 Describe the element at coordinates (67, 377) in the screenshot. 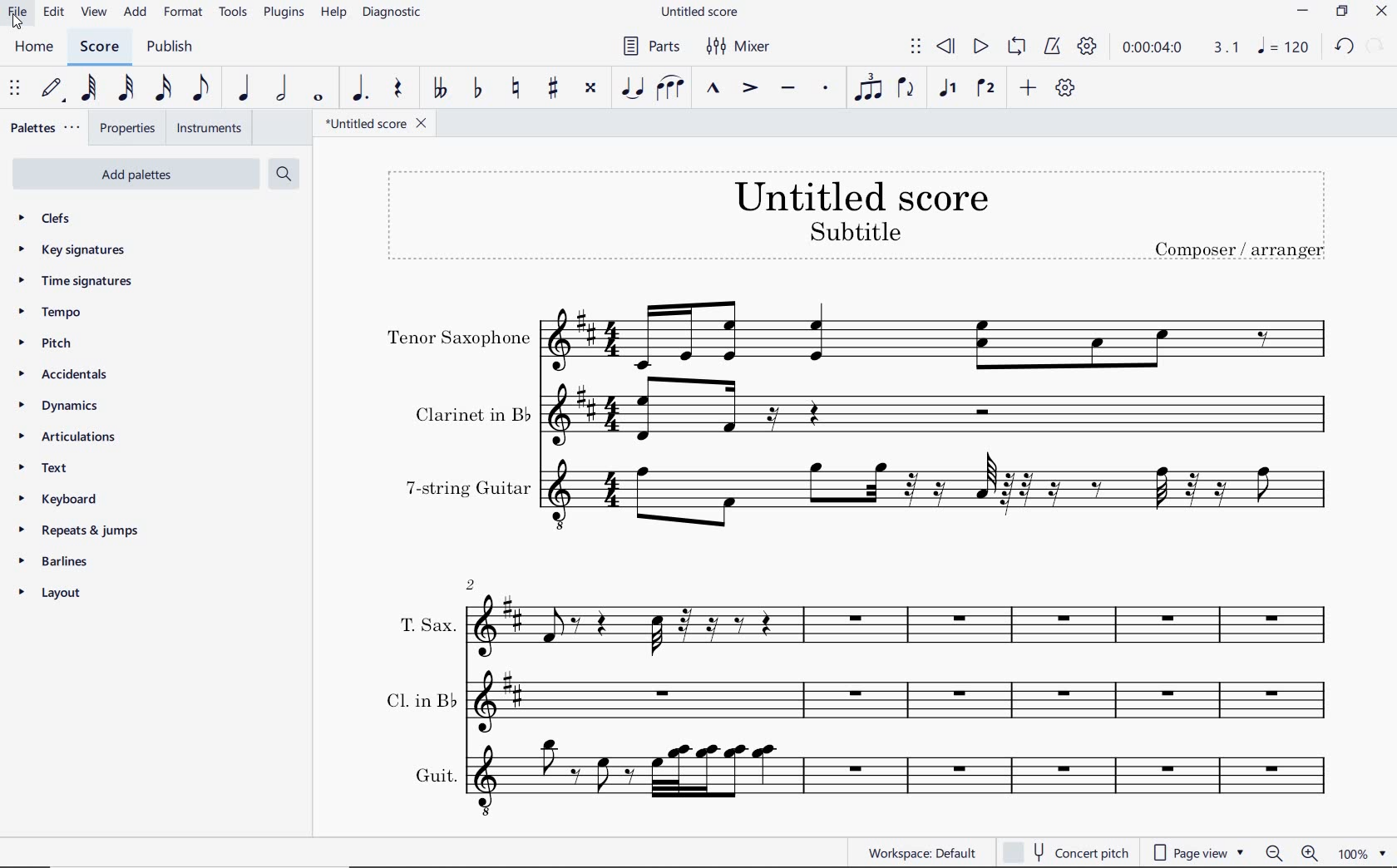

I see `accidentals` at that location.